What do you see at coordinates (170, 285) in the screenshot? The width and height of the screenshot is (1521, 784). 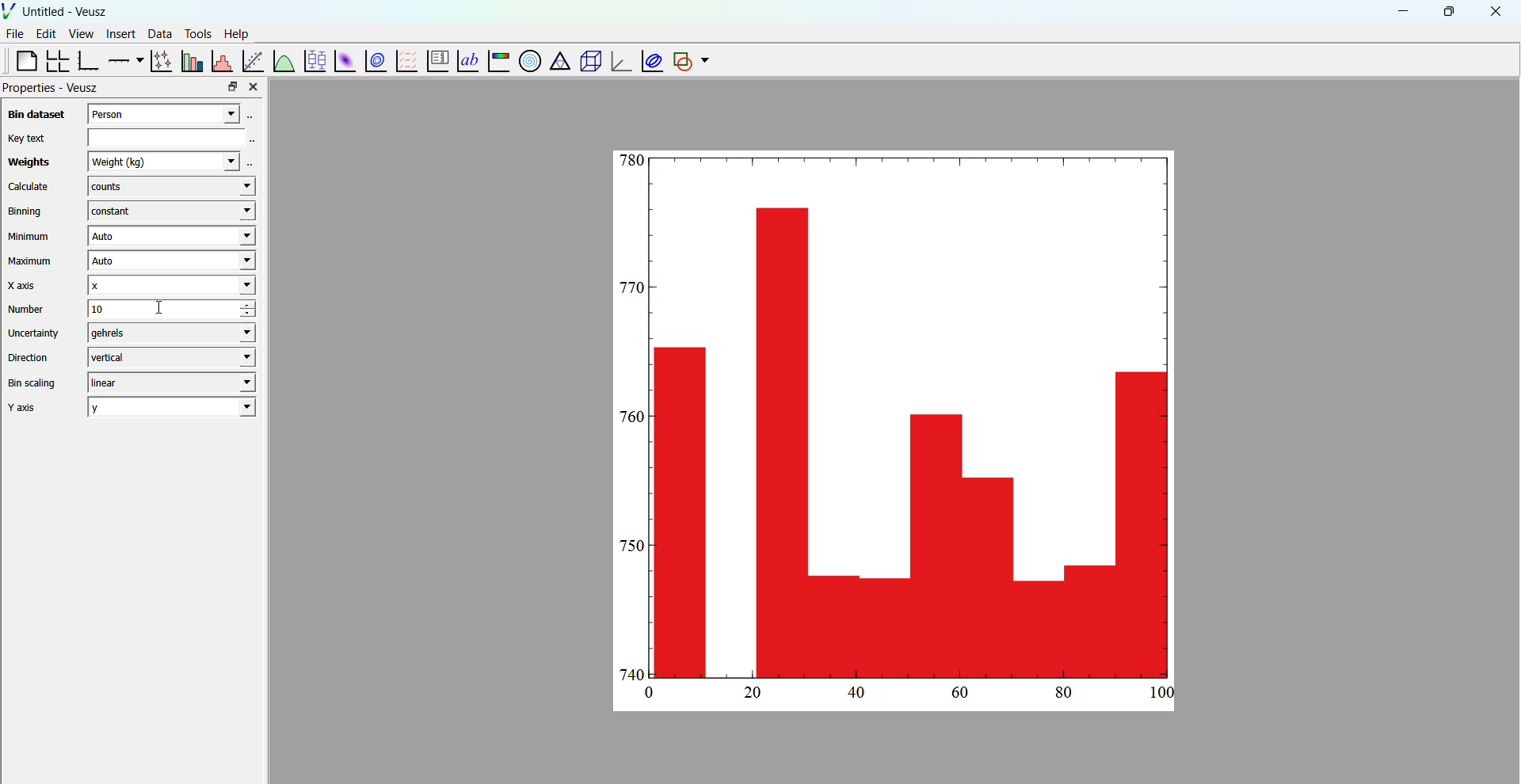 I see `x ` at bounding box center [170, 285].